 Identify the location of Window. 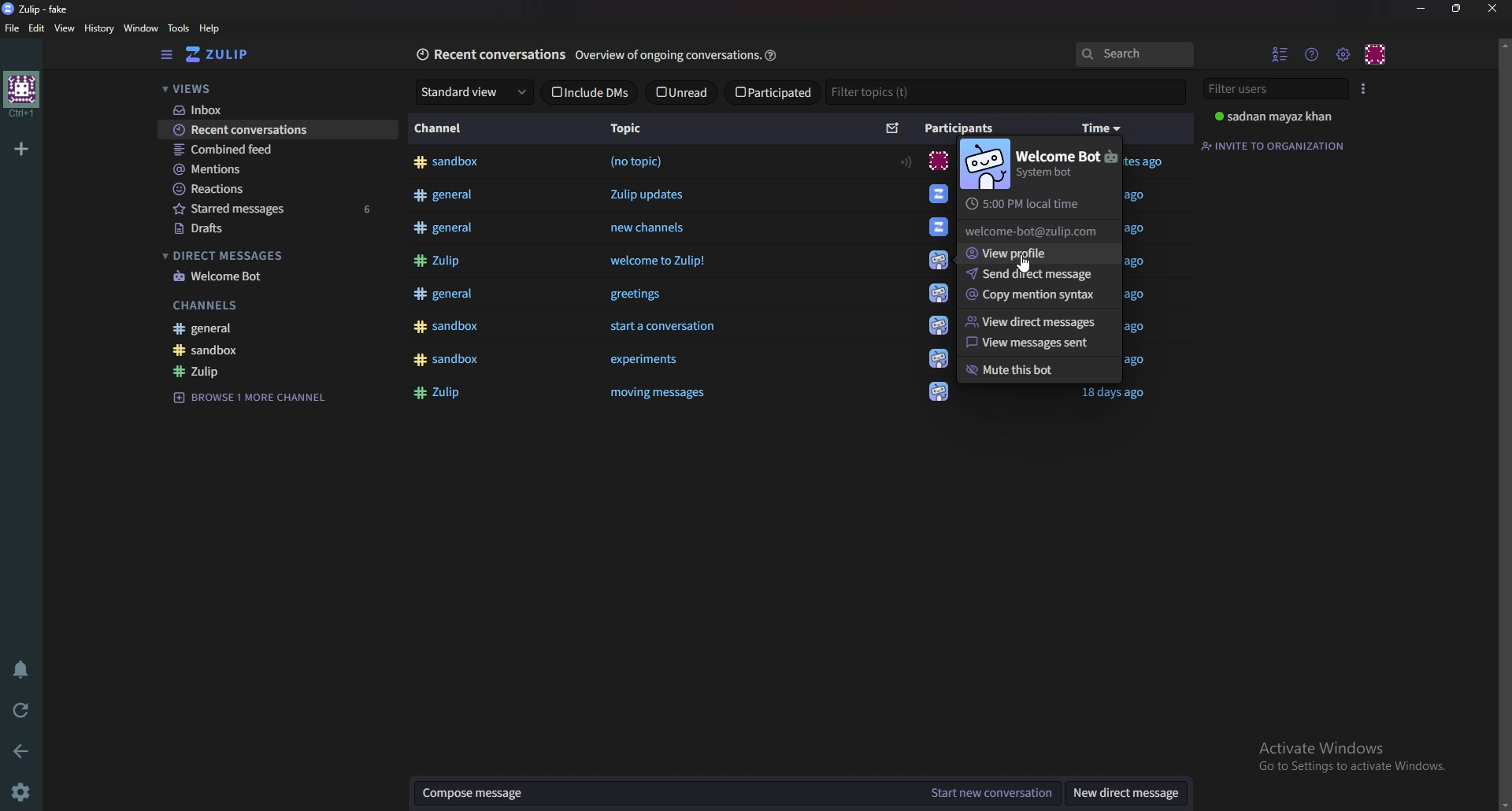
(141, 29).